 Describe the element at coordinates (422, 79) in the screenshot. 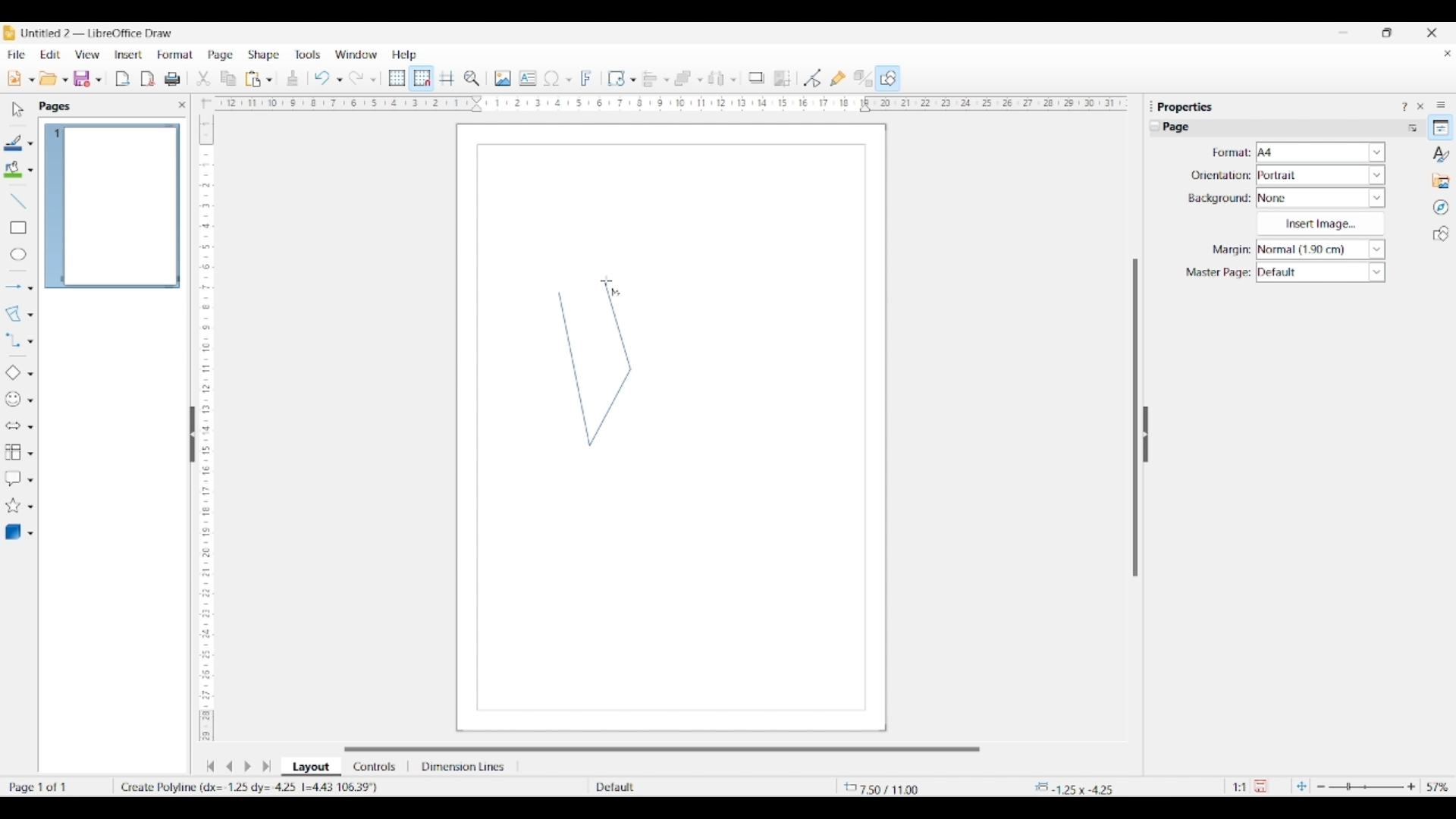

I see `Snap to grid` at that location.